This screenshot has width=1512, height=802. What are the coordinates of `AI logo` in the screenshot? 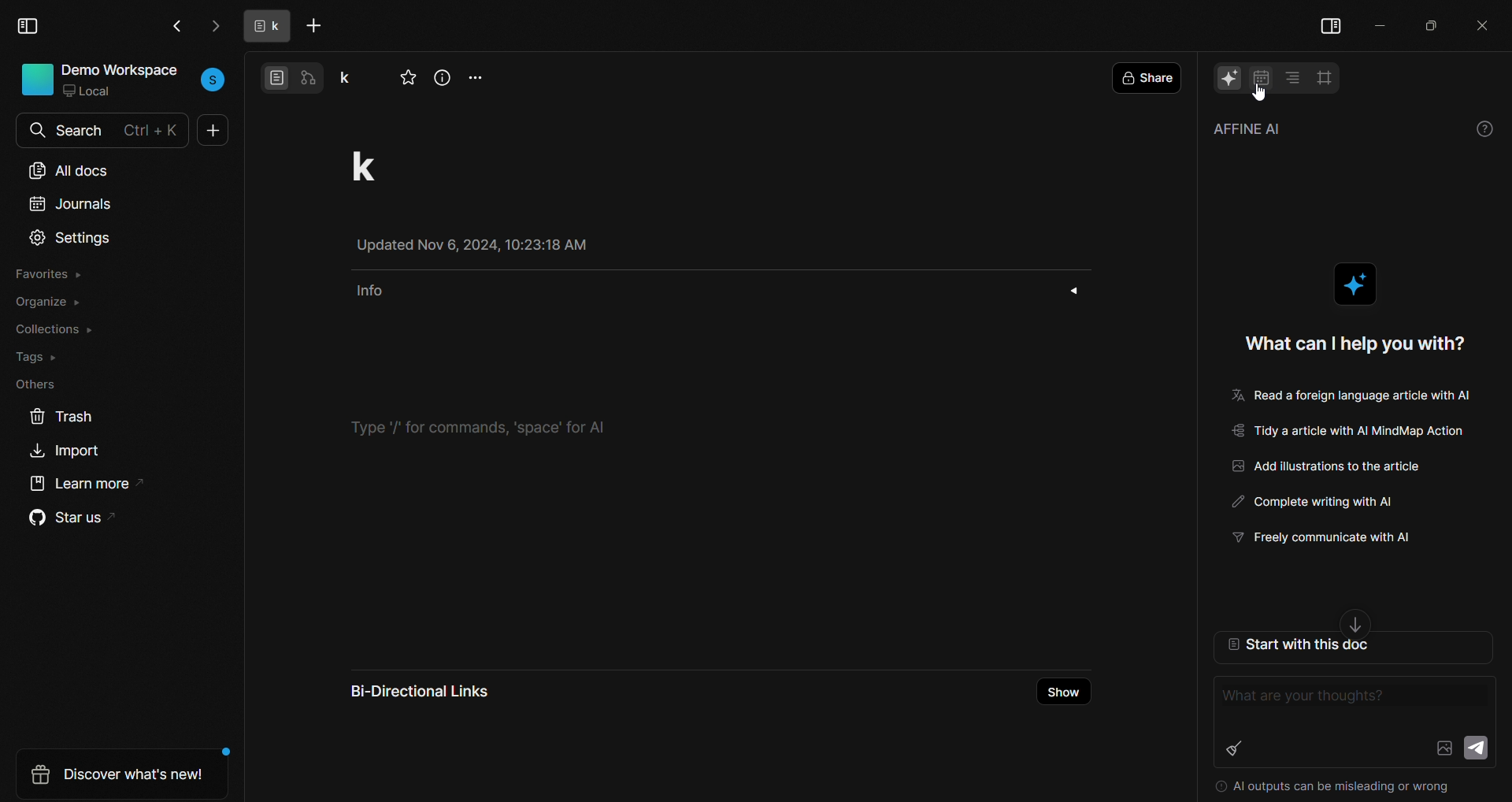 It's located at (1352, 287).